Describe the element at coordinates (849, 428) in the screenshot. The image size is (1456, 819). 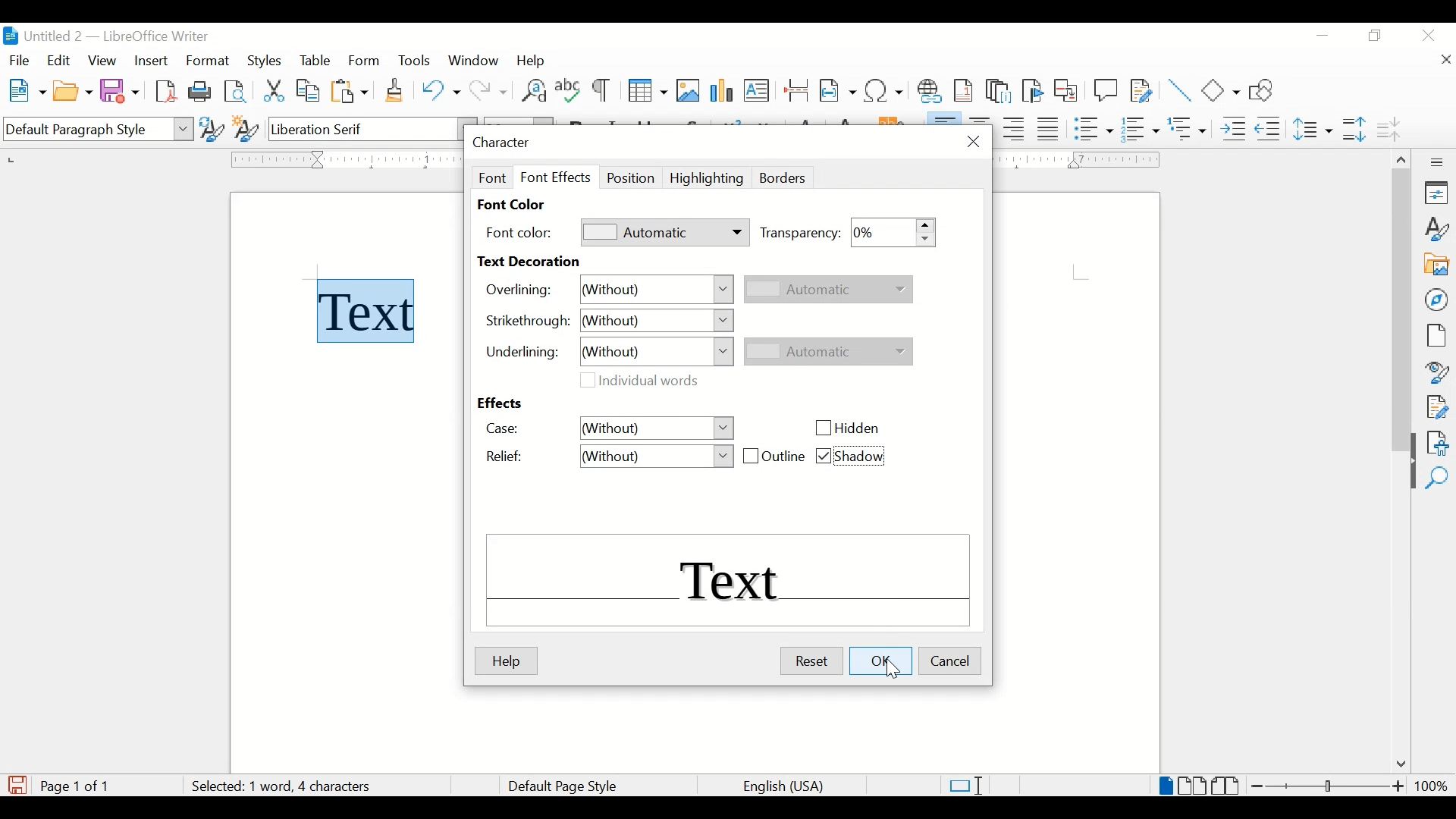
I see `hidden checkbox` at that location.